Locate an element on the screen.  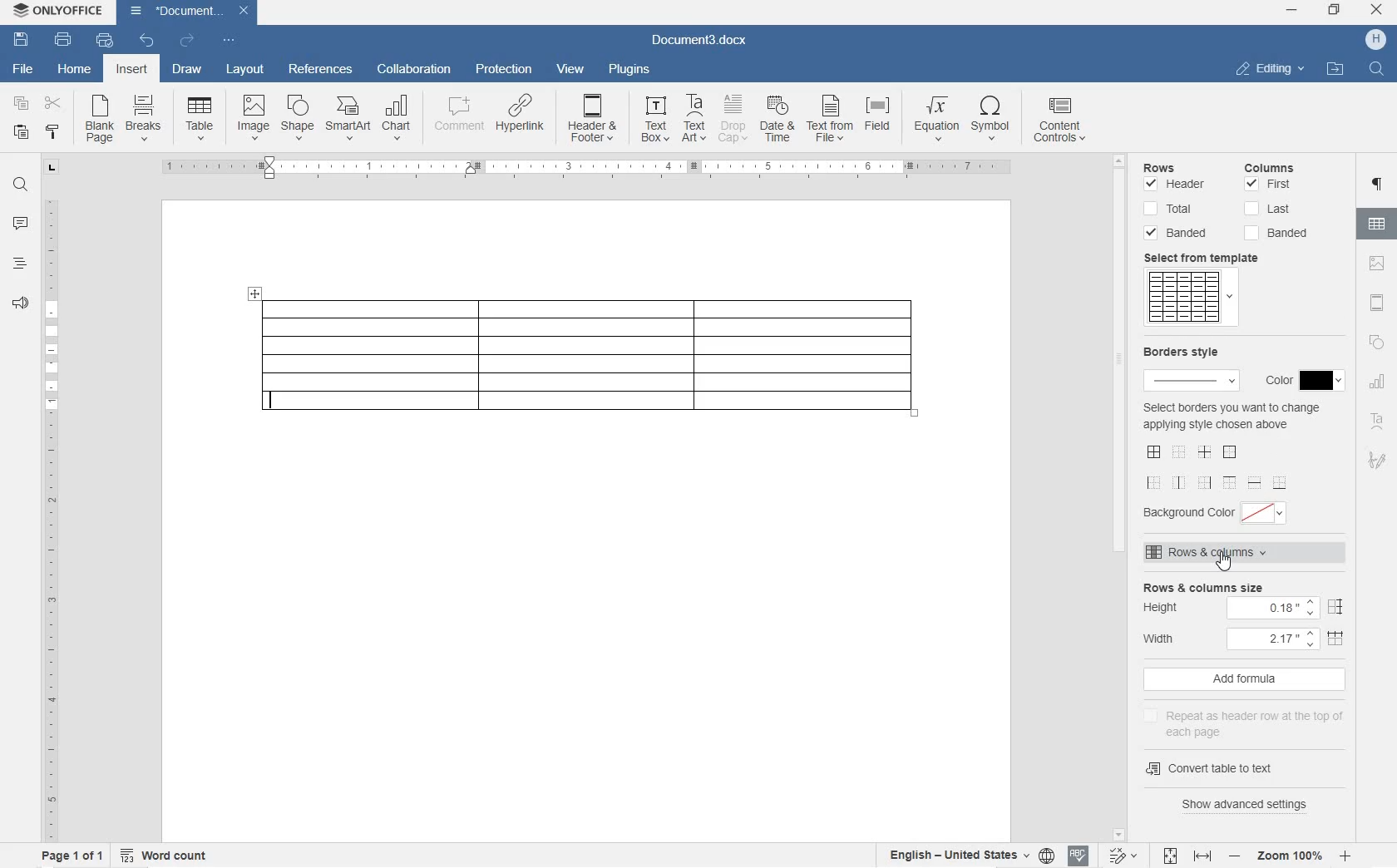
add formula is located at coordinates (1244, 679).